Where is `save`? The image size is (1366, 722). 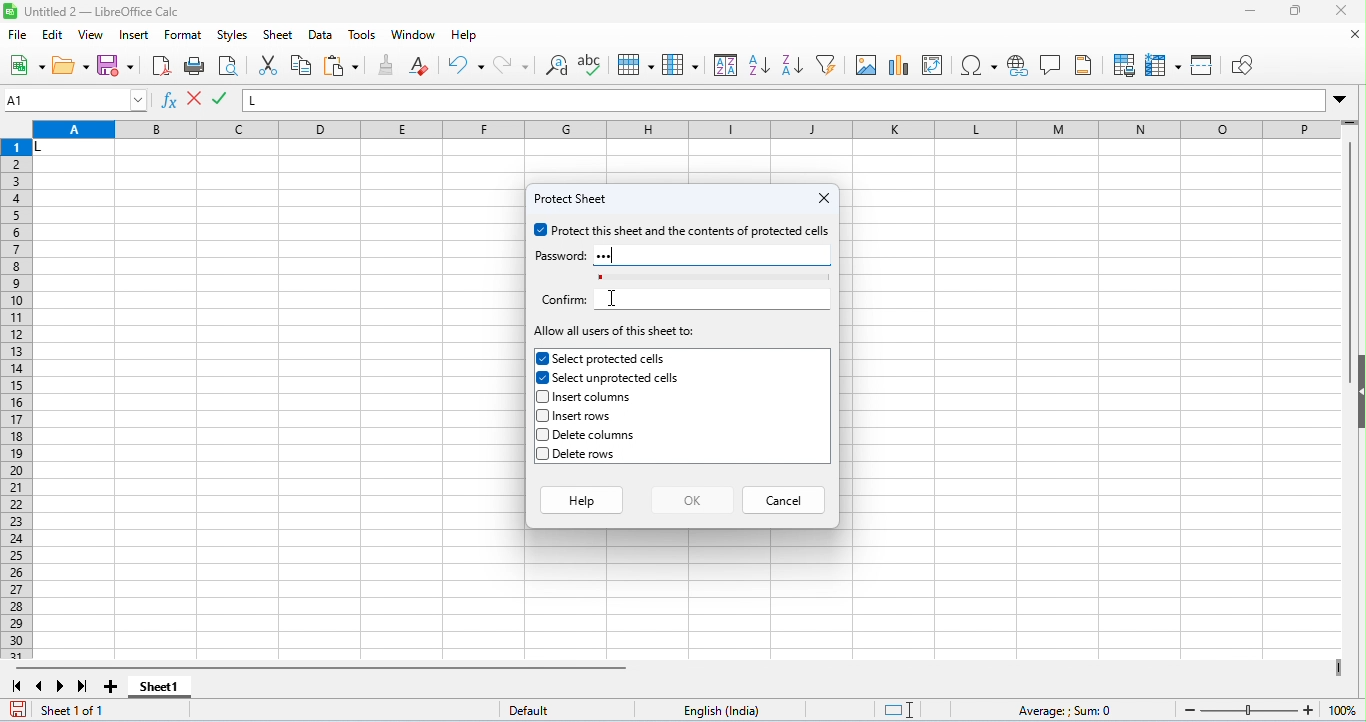
save is located at coordinates (20, 709).